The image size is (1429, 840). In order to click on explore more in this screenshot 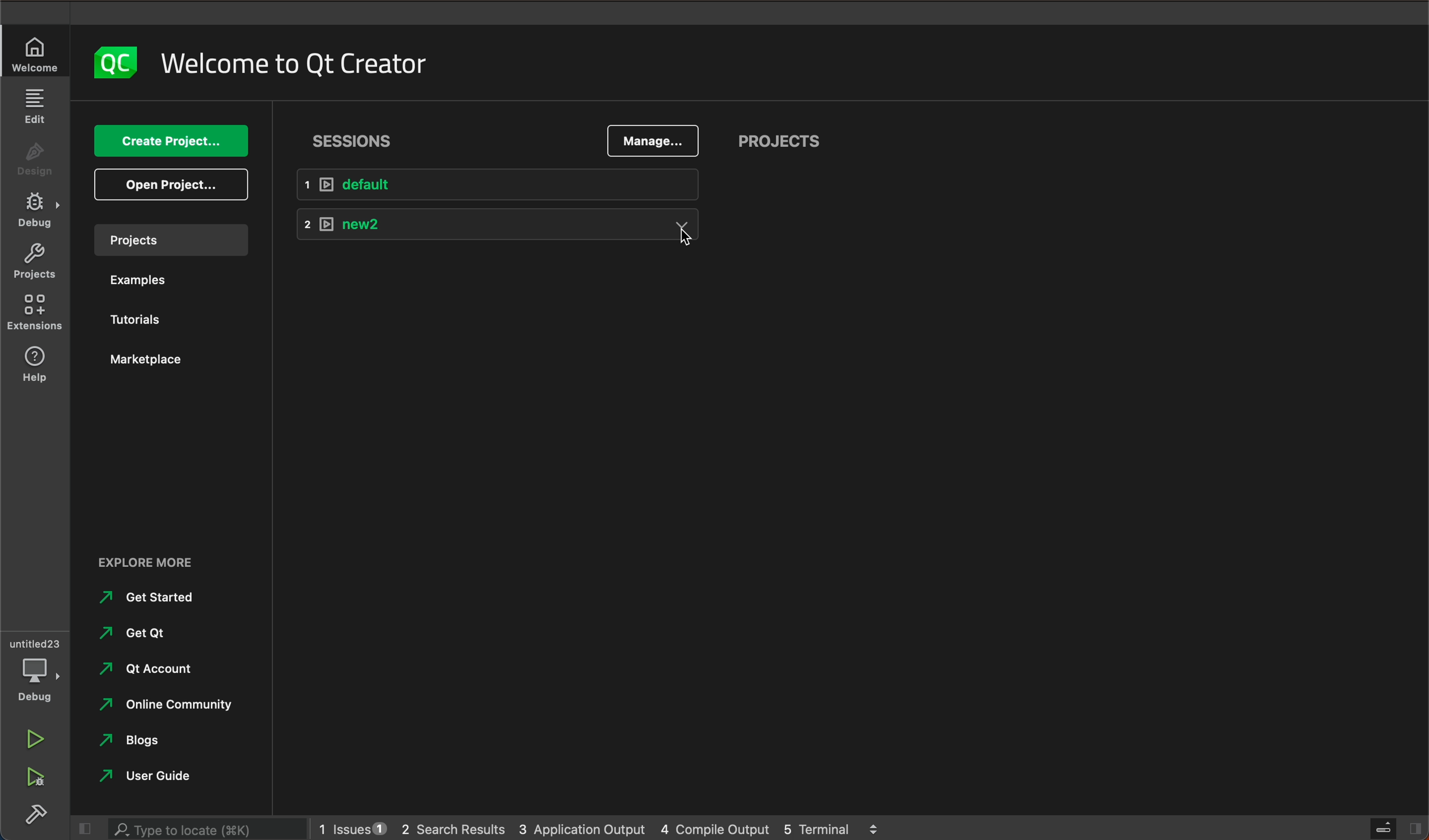, I will do `click(166, 562)`.